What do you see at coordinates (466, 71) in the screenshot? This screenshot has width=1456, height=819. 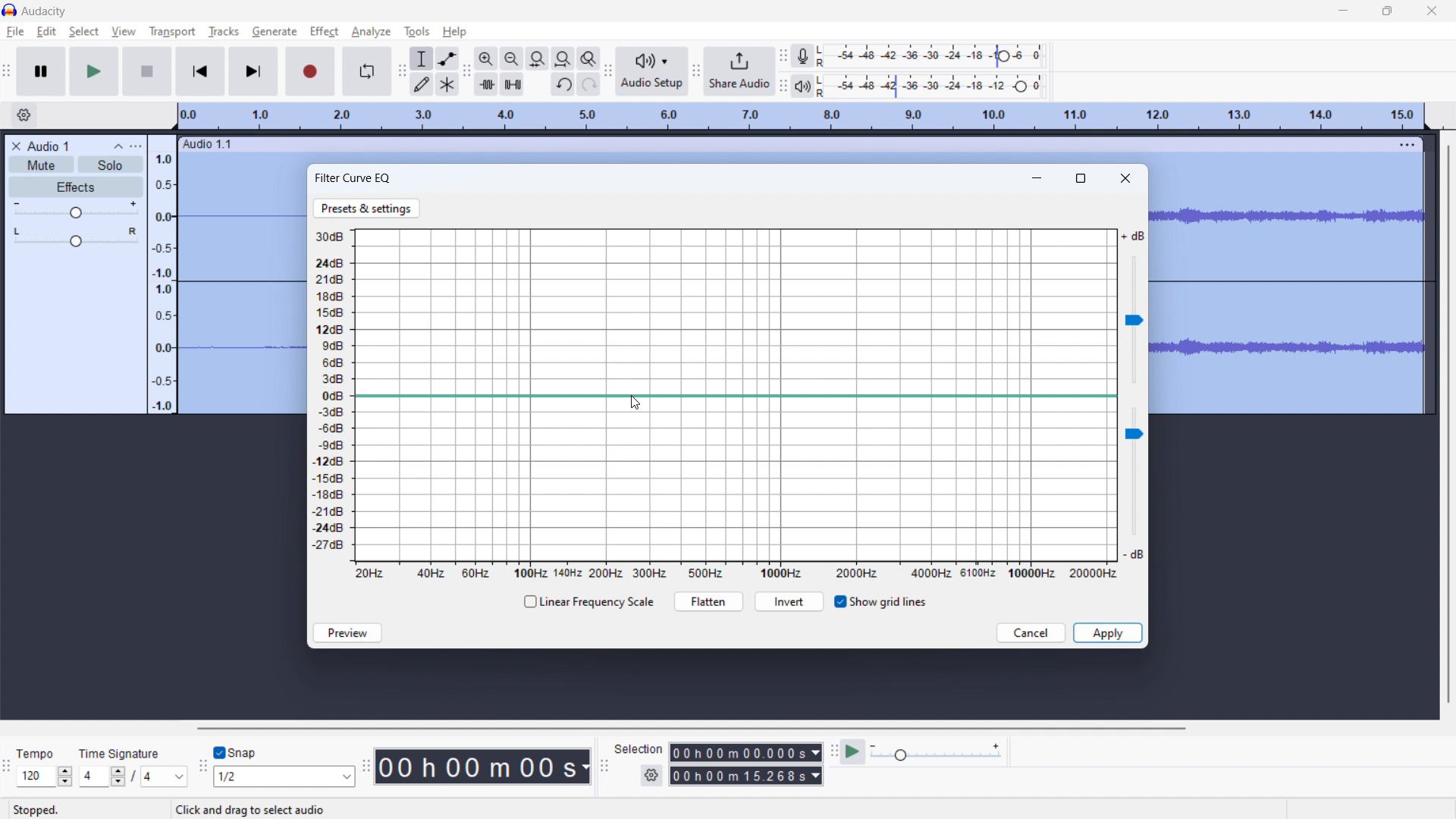 I see `edit toolbar` at bounding box center [466, 71].